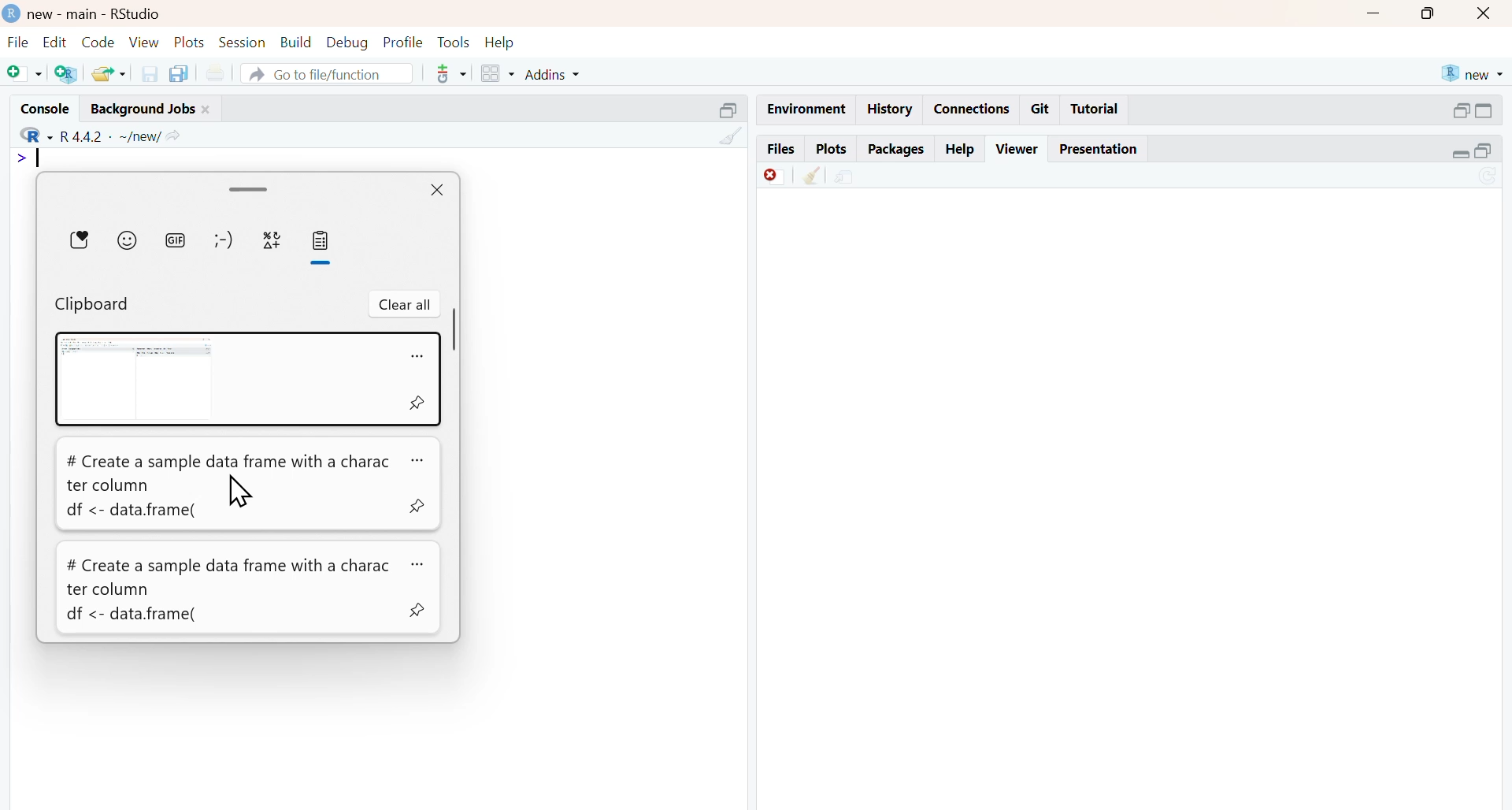 The height and width of the screenshot is (810, 1512). Describe the element at coordinates (898, 150) in the screenshot. I see `packages` at that location.